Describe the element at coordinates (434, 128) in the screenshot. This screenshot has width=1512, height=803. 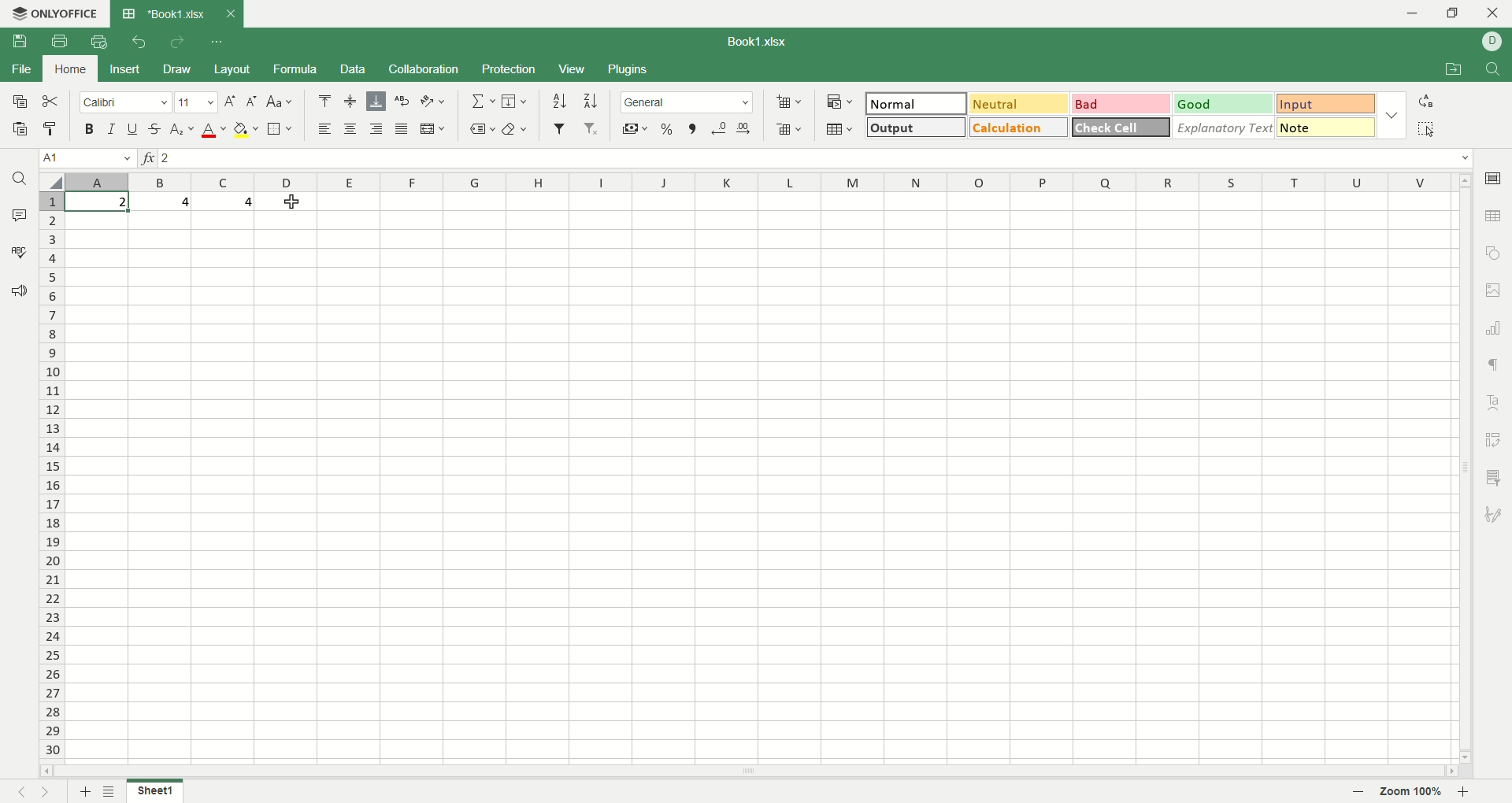
I see `merge and center` at that location.